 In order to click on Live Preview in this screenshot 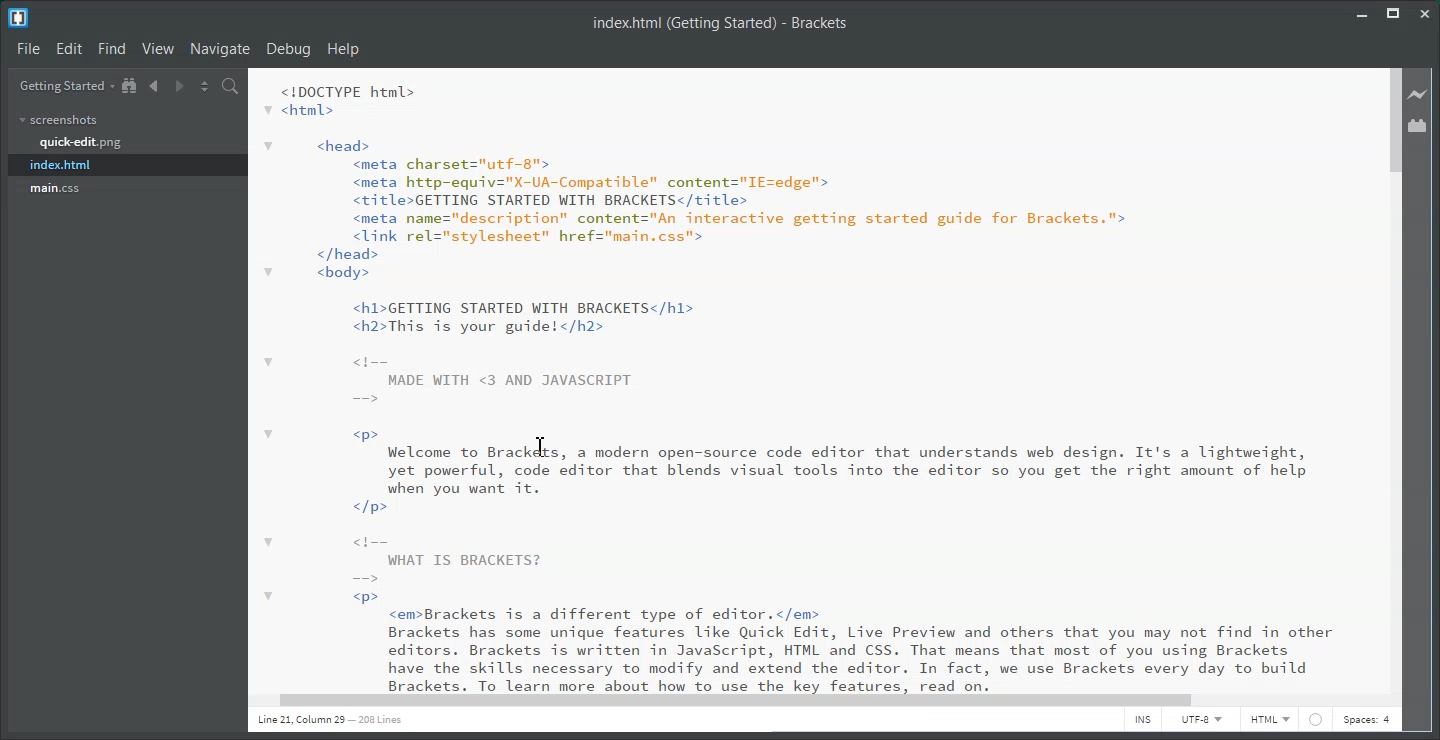, I will do `click(1422, 94)`.